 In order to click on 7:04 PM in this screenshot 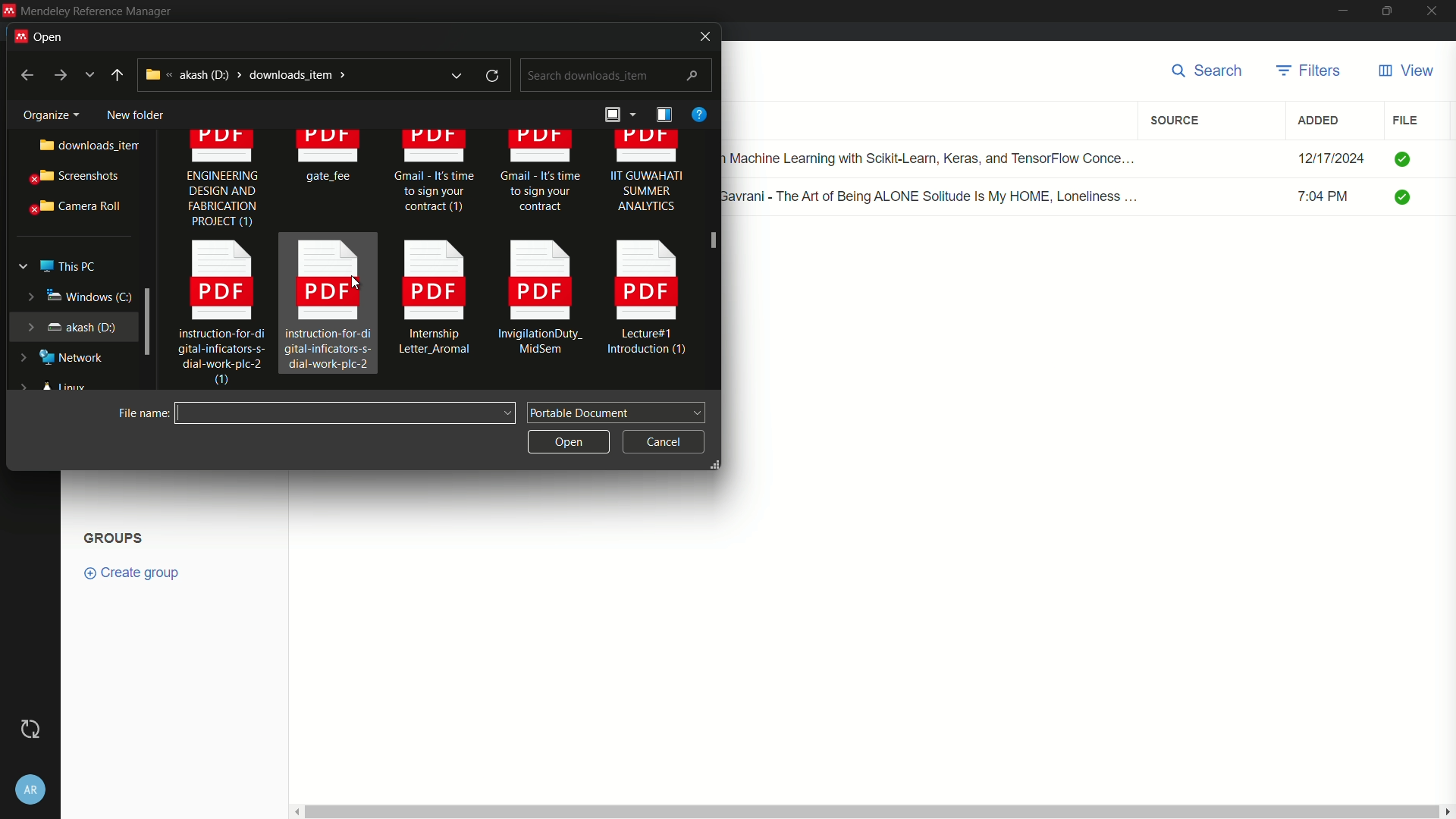, I will do `click(1332, 199)`.